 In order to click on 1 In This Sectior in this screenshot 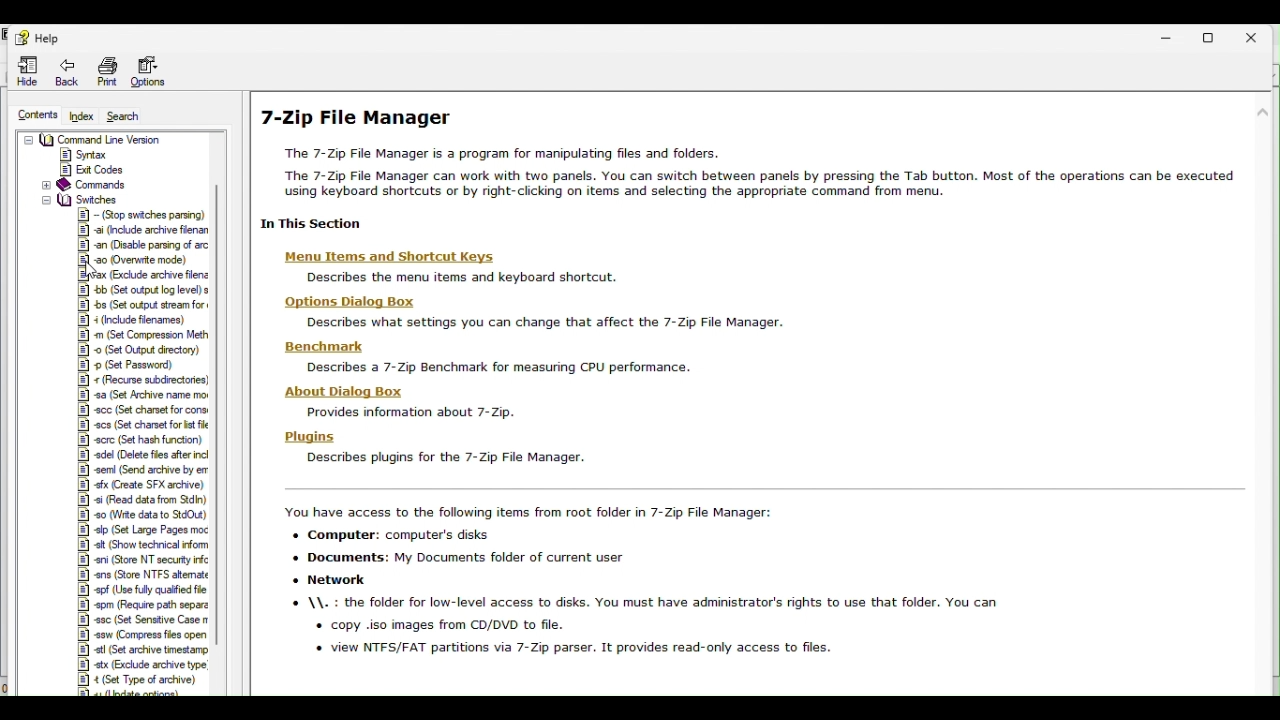, I will do `click(306, 224)`.